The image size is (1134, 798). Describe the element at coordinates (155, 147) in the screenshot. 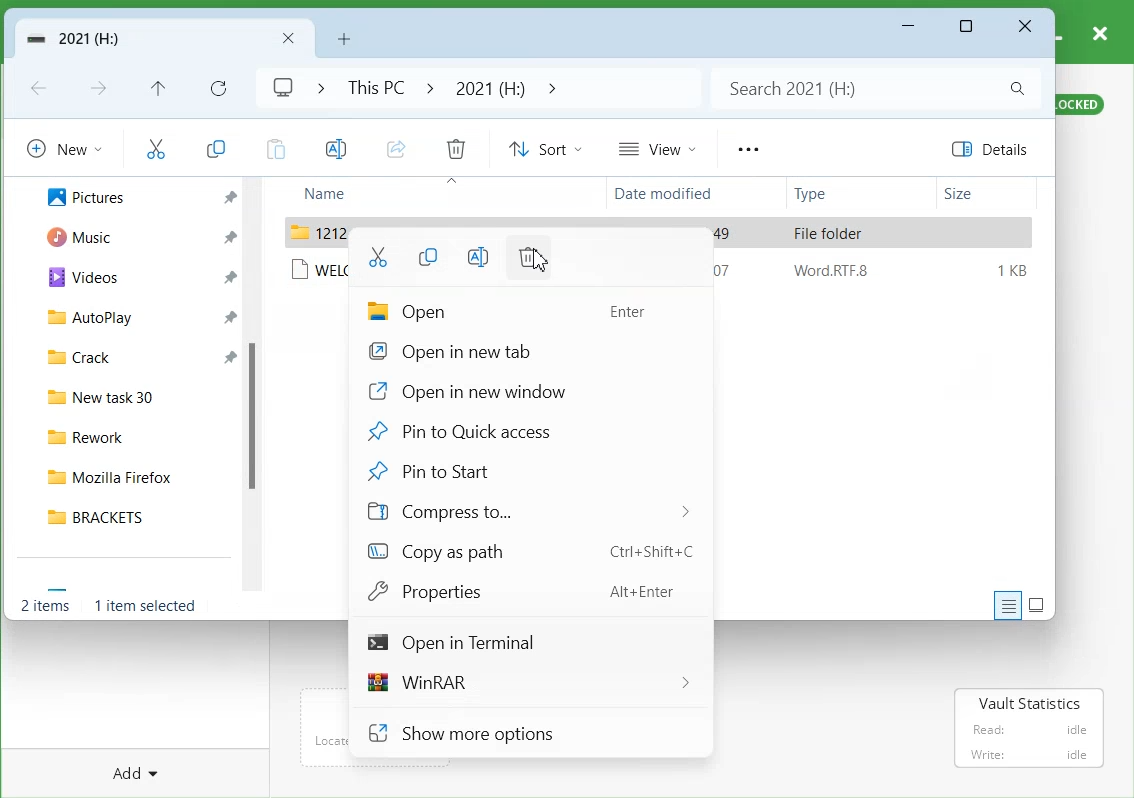

I see `Cut` at that location.